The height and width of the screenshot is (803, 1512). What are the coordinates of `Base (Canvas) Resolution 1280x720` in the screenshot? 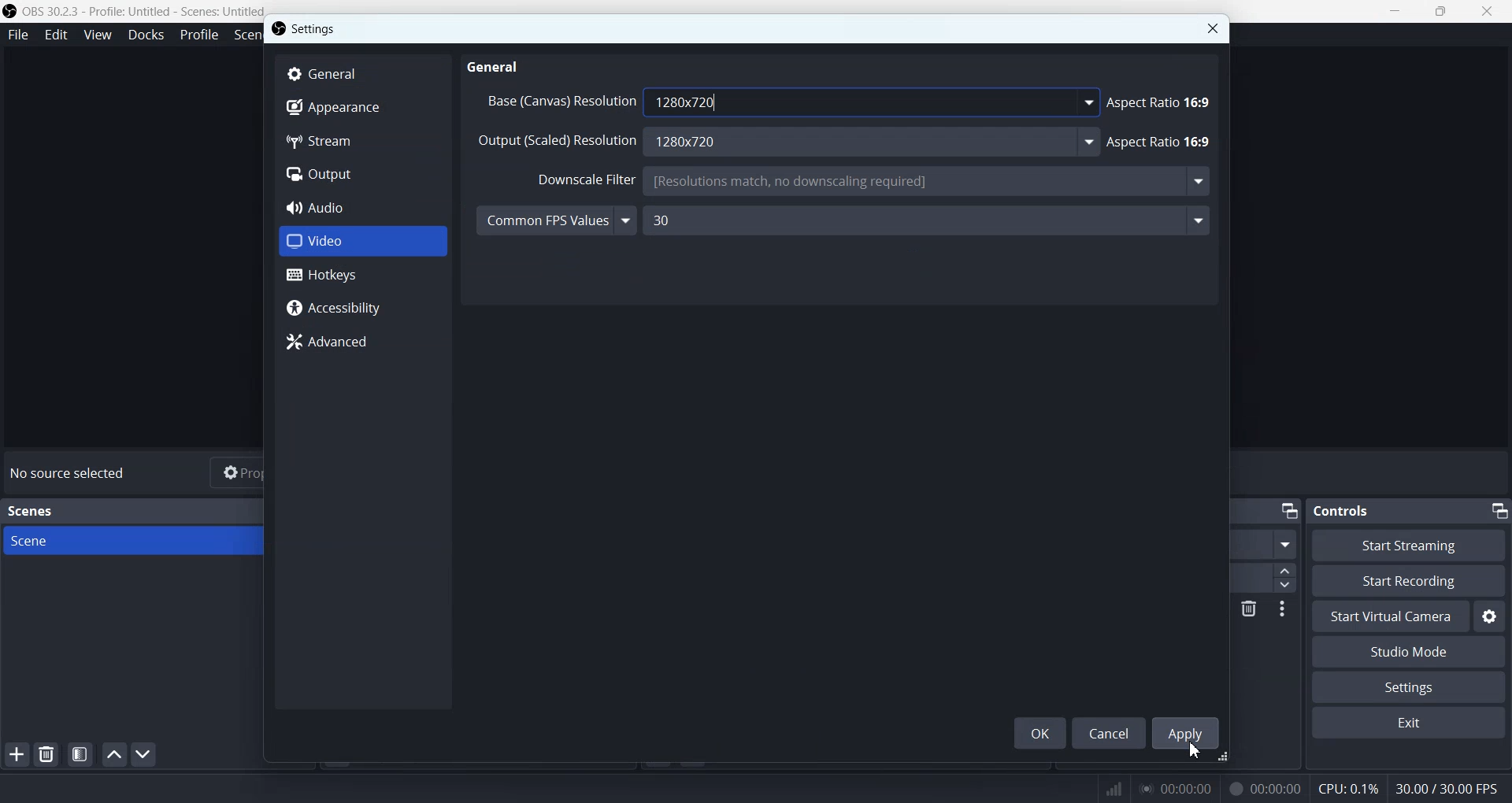 It's located at (790, 103).